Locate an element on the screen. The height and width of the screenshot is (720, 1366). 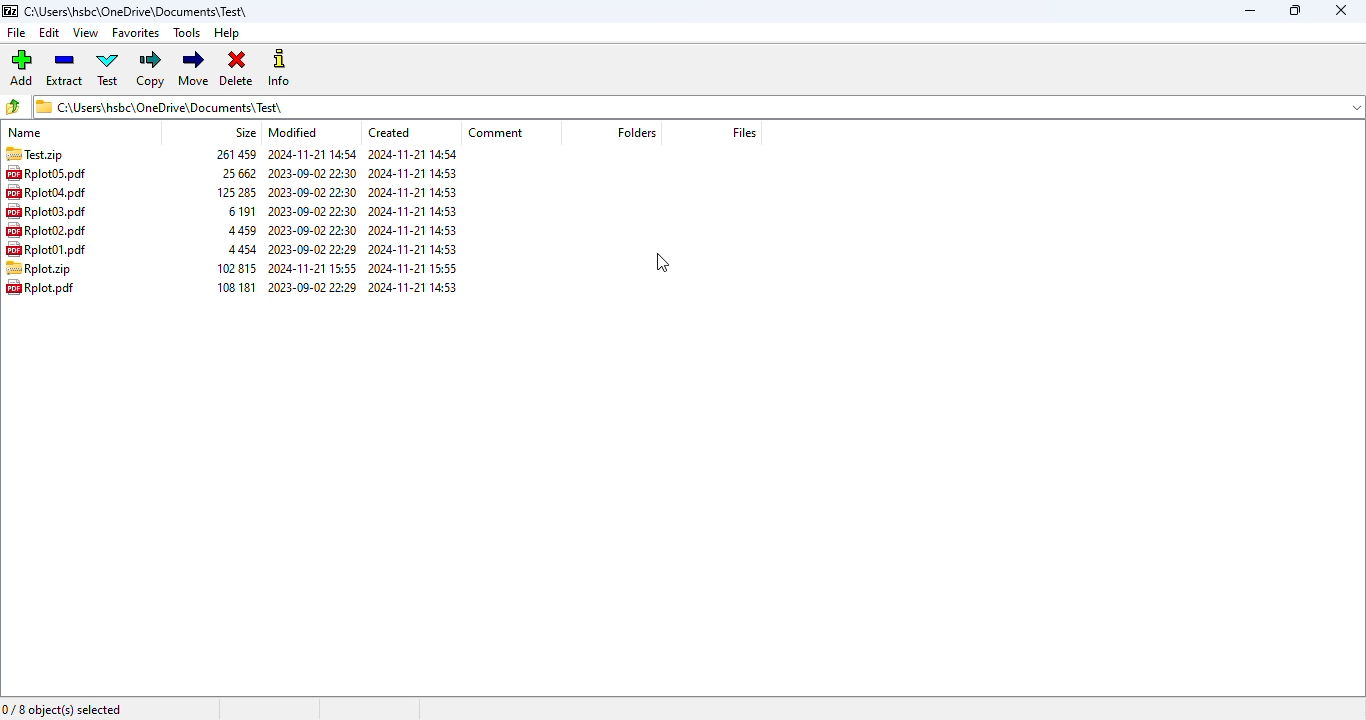
modified is located at coordinates (292, 133).